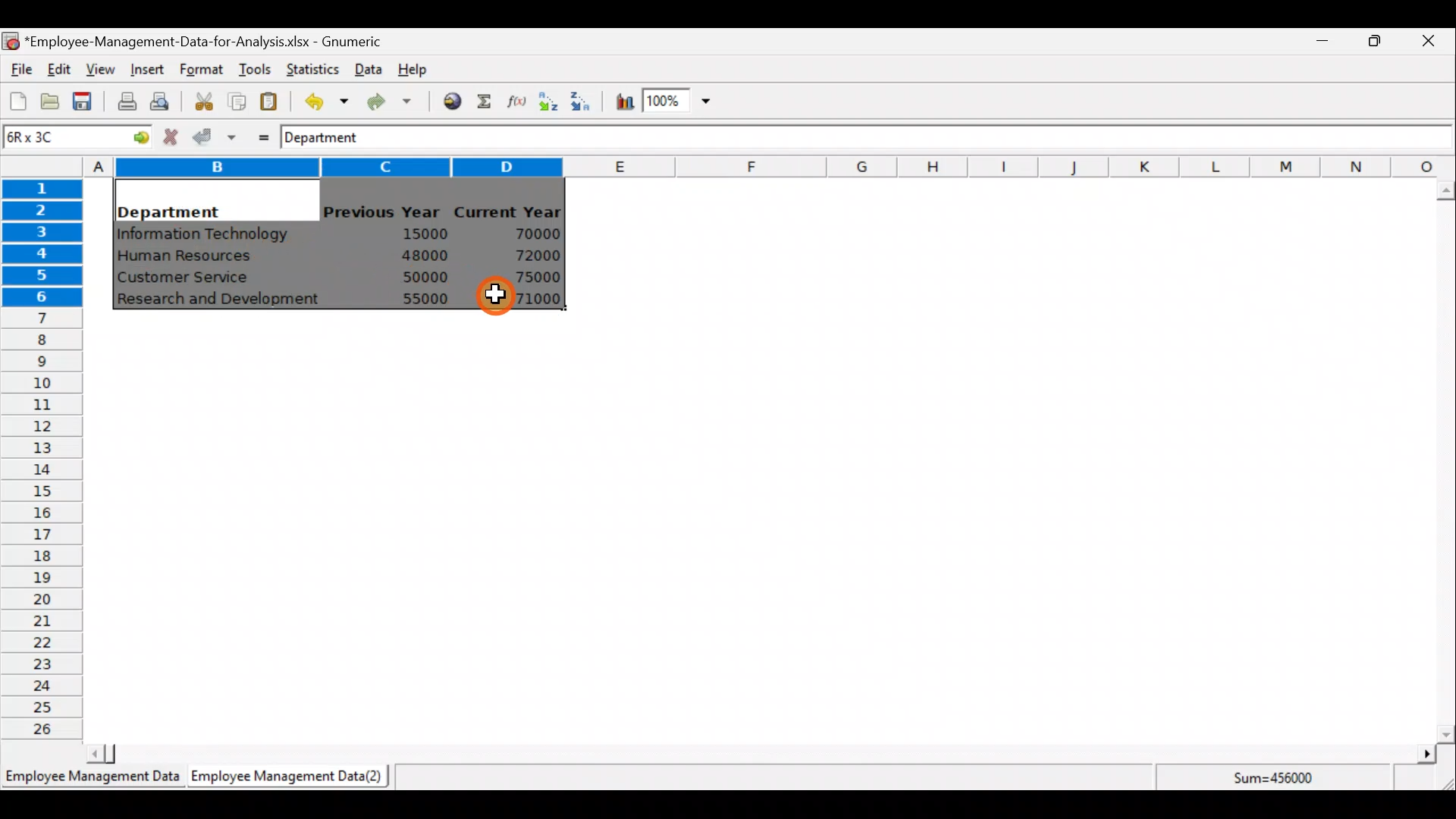 The height and width of the screenshot is (819, 1456). I want to click on Cell name 6R x 3C, so click(50, 136).